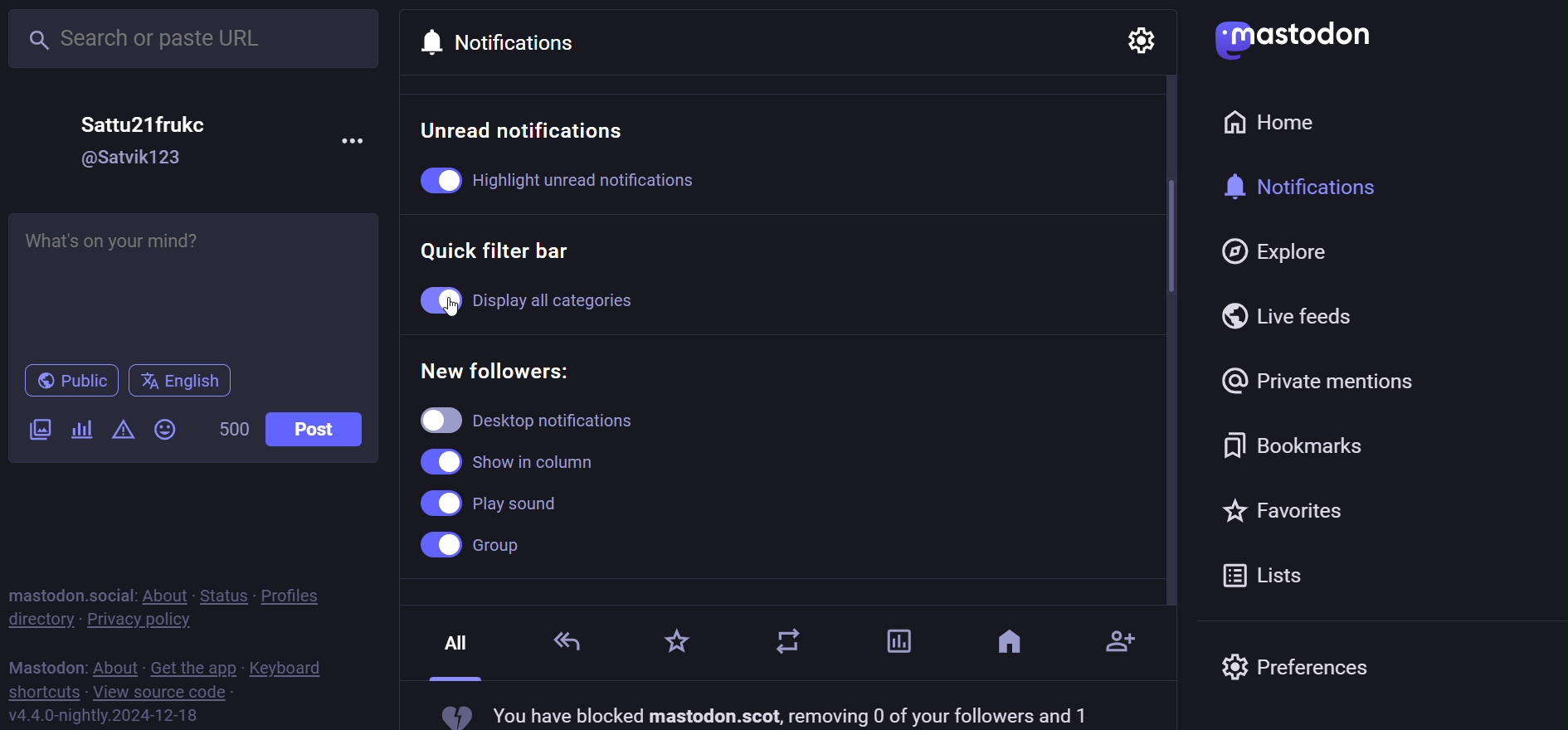 This screenshot has height=730, width=1568. Describe the element at coordinates (302, 592) in the screenshot. I see `profiles` at that location.